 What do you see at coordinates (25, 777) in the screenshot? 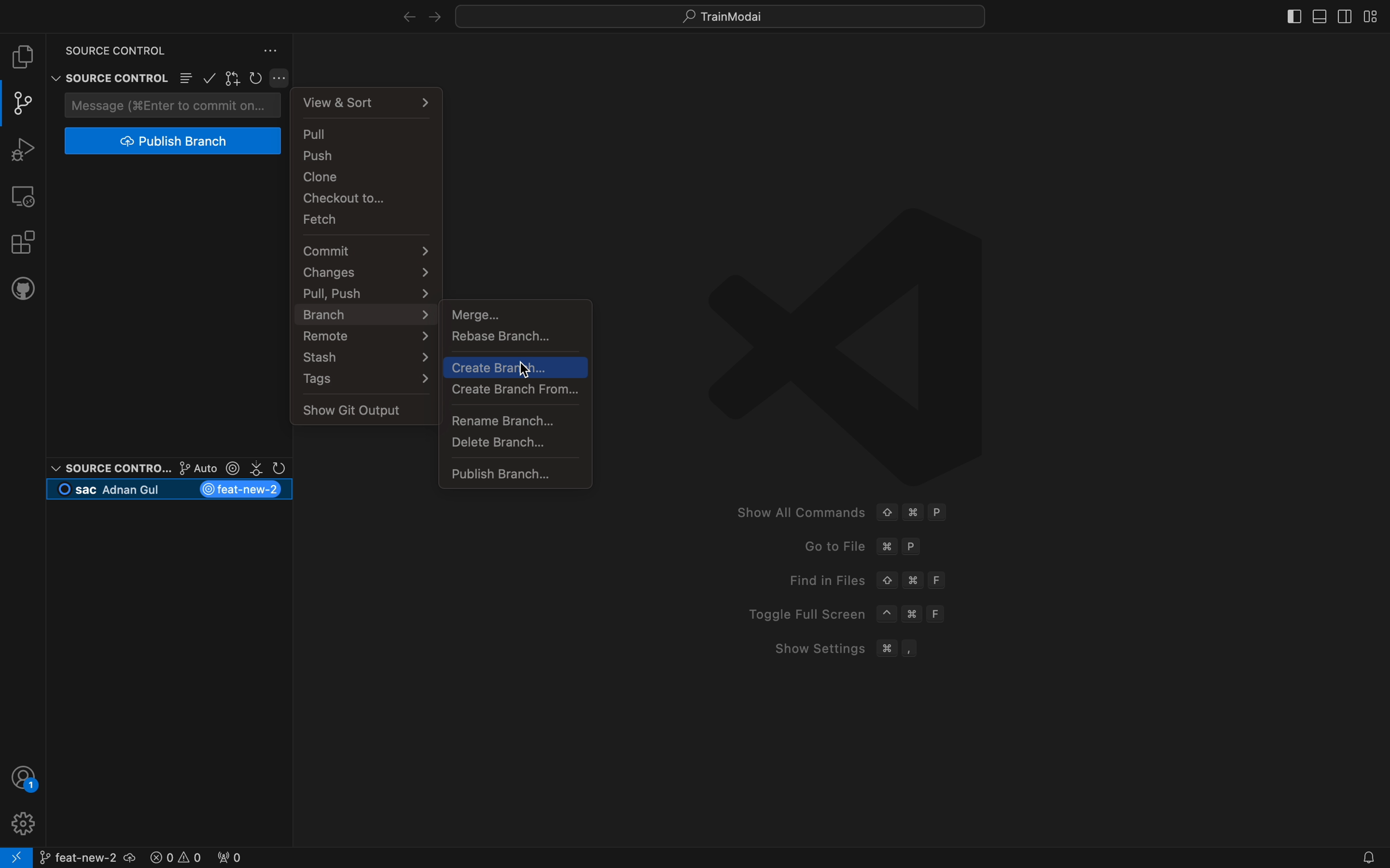
I see `profile` at bounding box center [25, 777].